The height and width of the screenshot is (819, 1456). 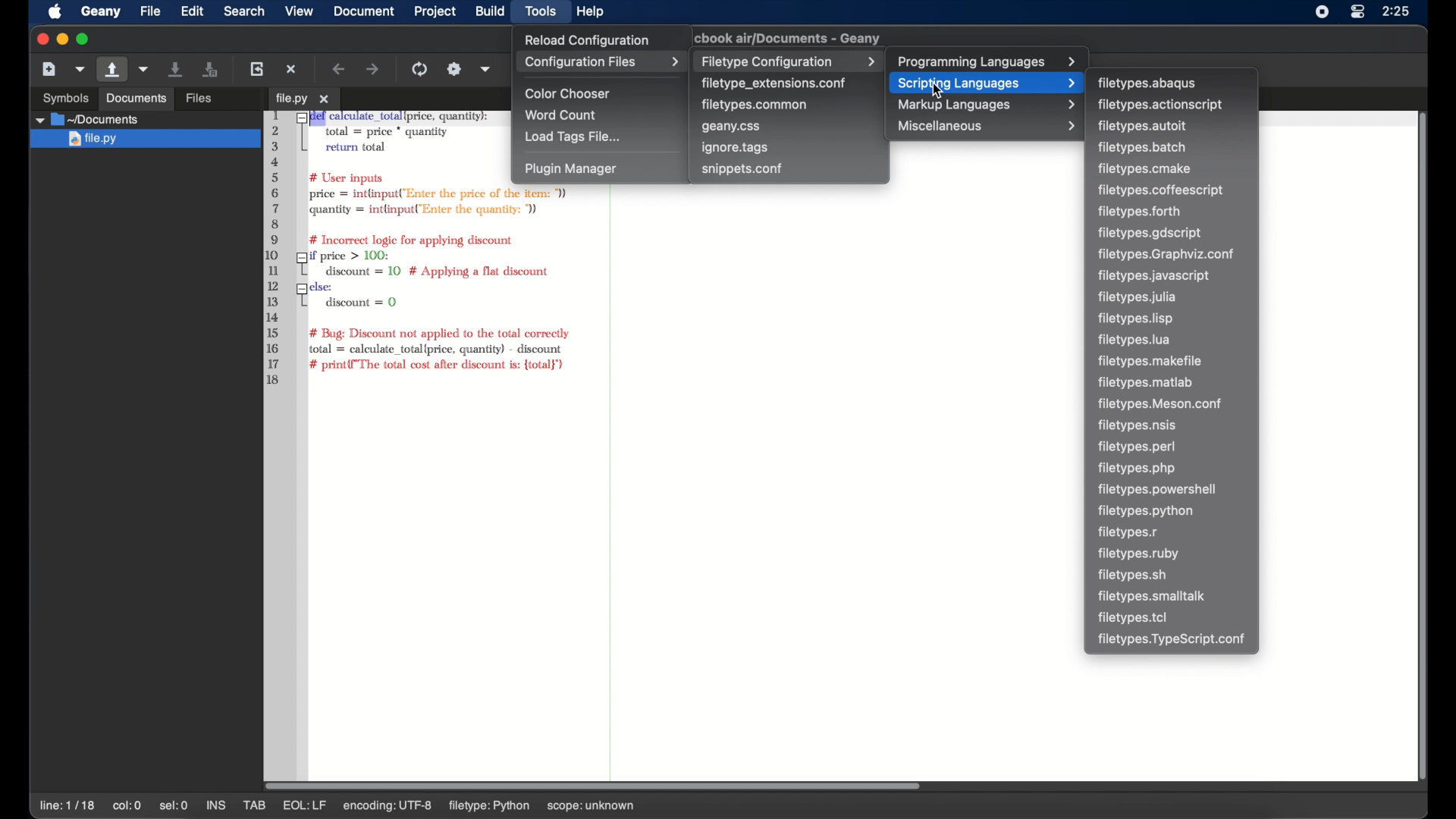 I want to click on minimize, so click(x=61, y=39).